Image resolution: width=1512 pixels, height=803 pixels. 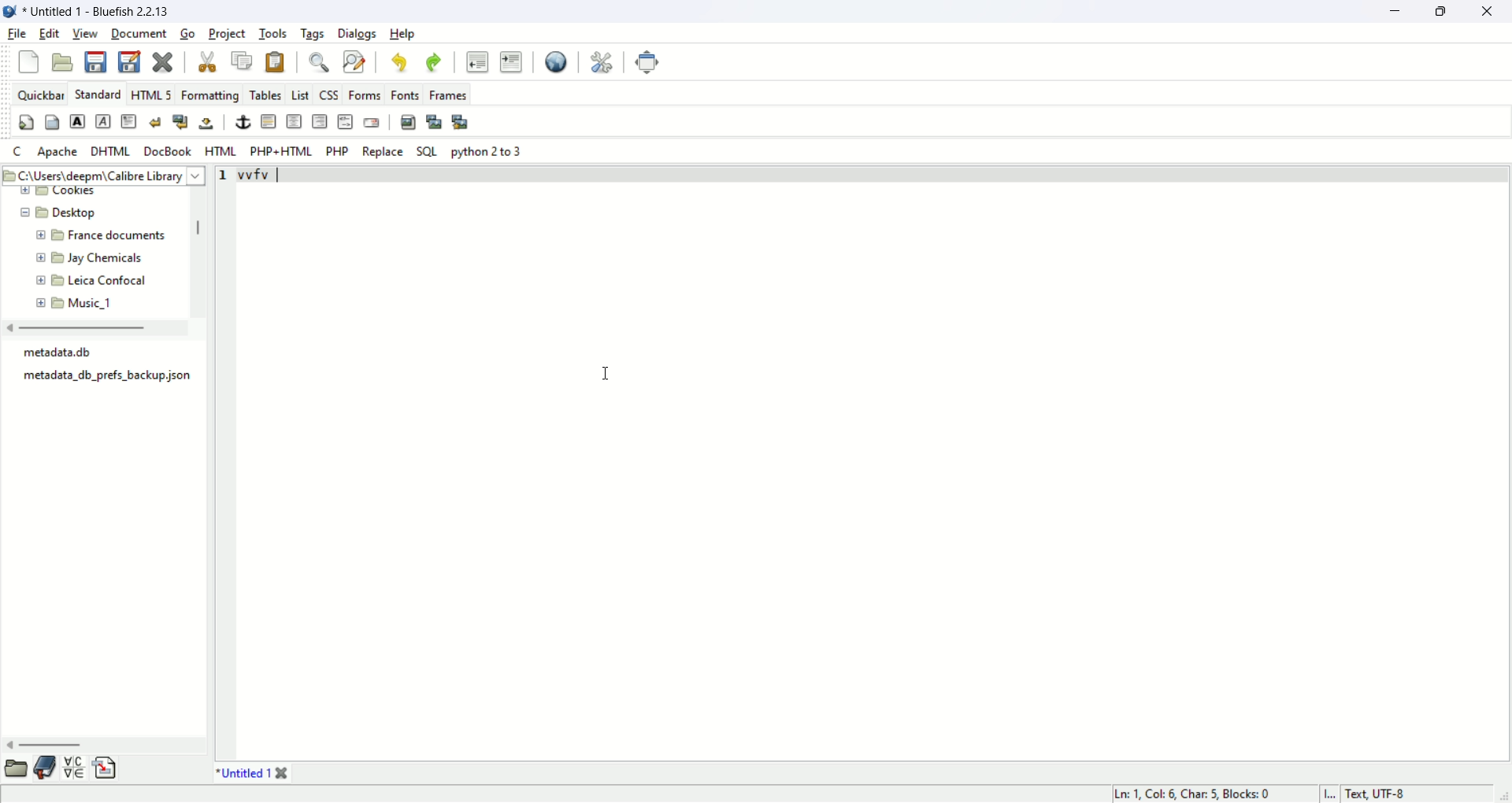 What do you see at coordinates (560, 63) in the screenshot?
I see `view in browser` at bounding box center [560, 63].